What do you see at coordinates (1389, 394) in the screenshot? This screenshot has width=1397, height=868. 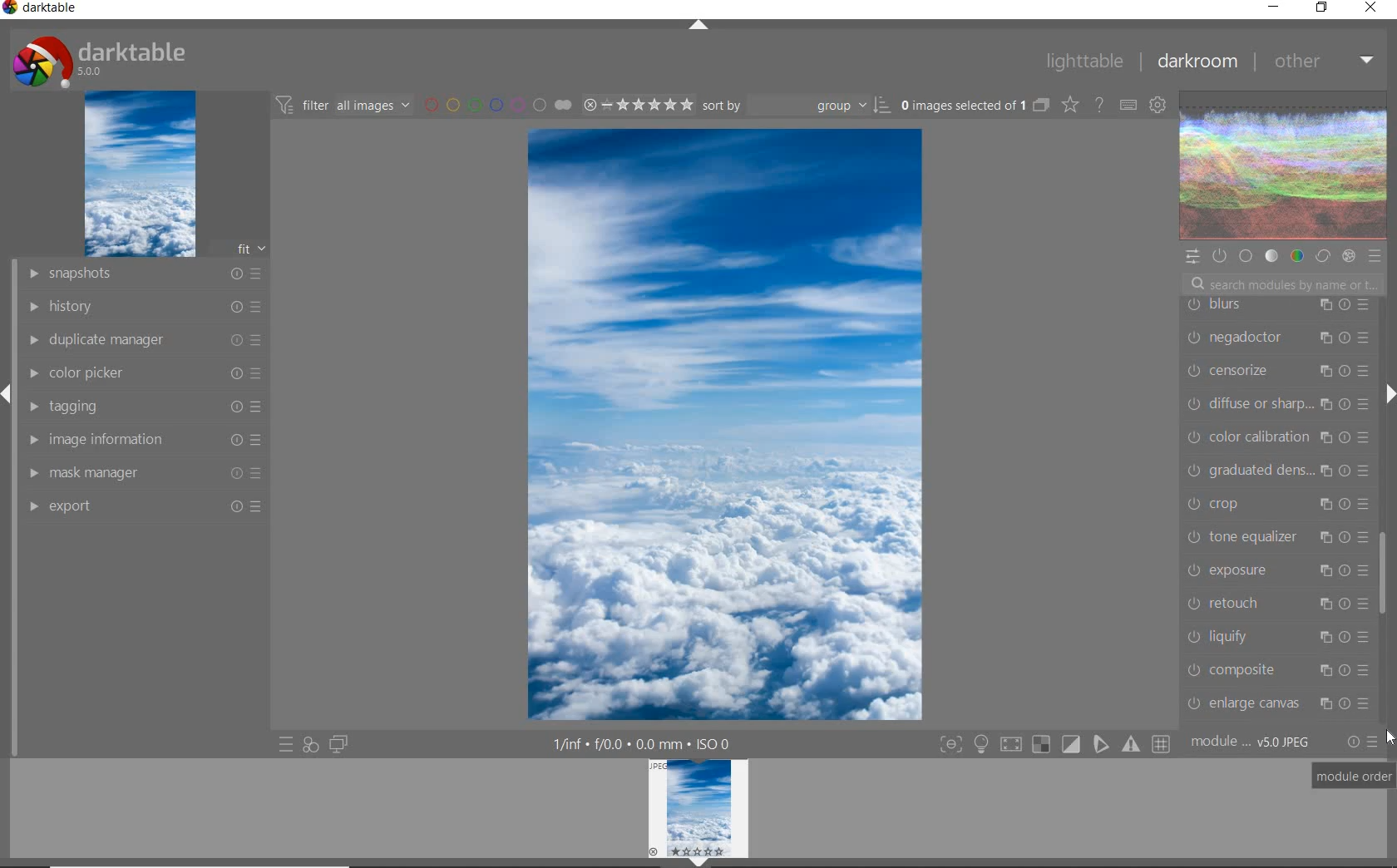 I see `Next` at bounding box center [1389, 394].